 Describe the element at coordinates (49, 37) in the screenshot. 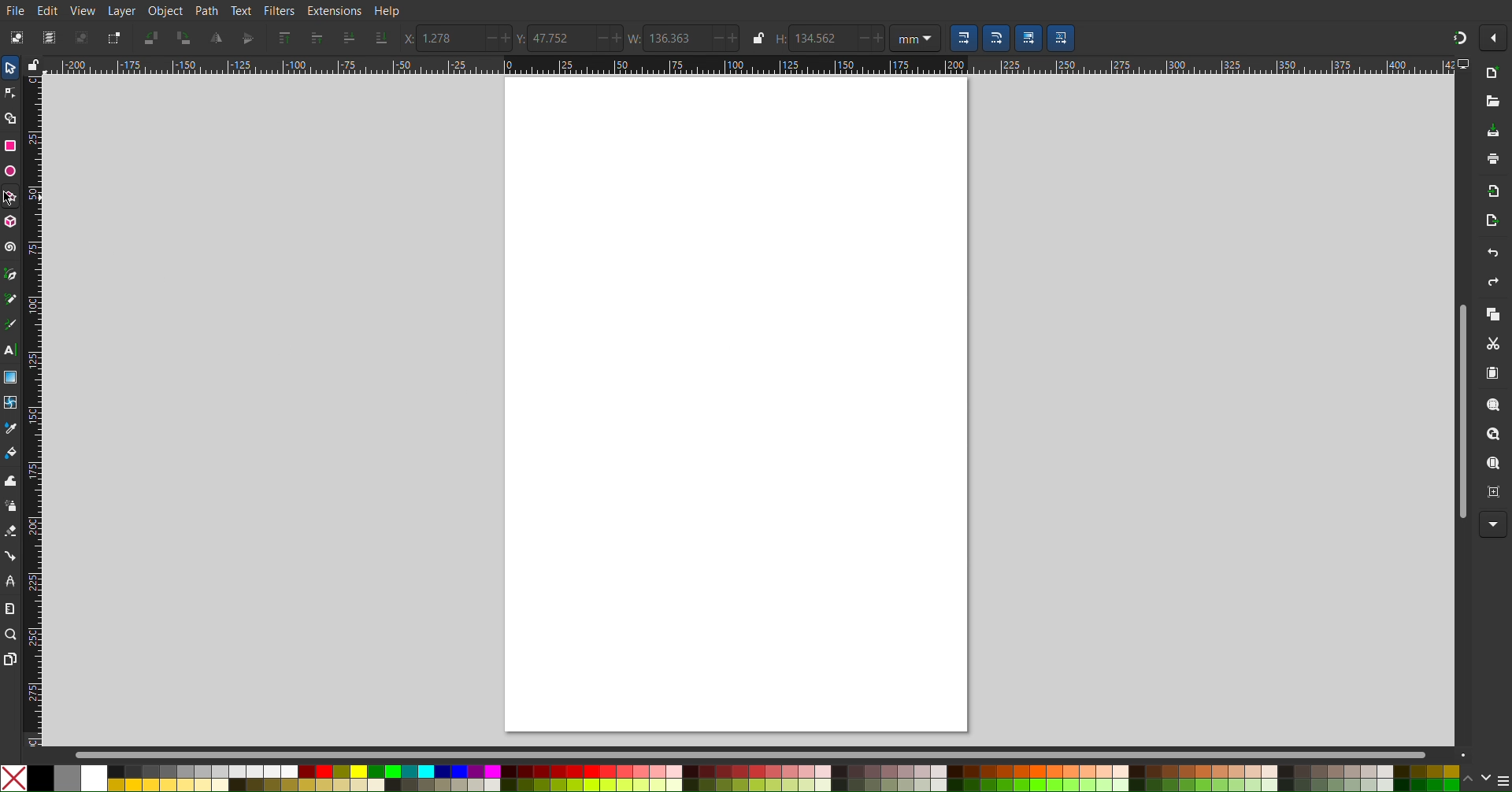

I see `Select All` at that location.